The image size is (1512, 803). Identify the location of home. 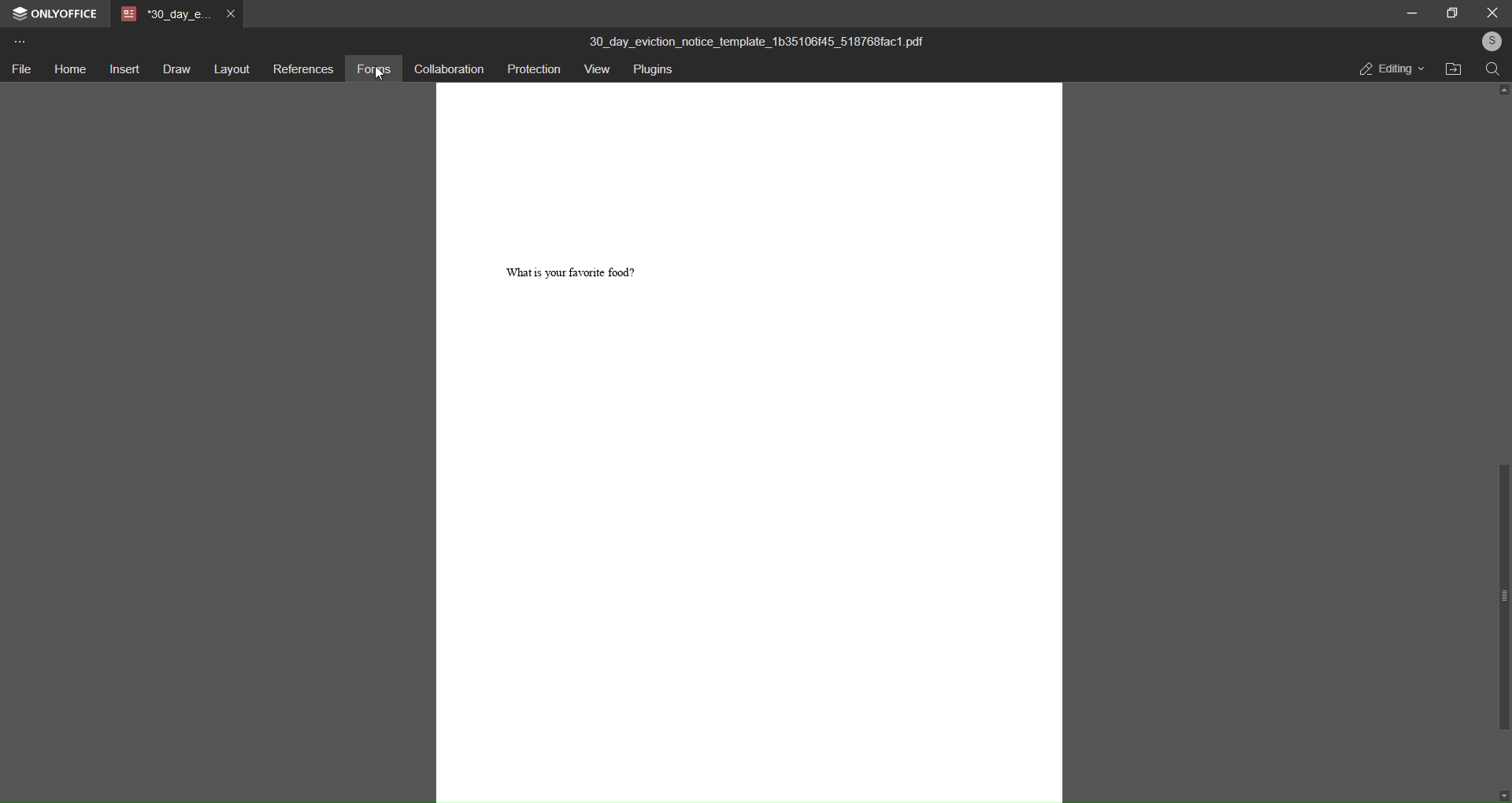
(69, 70).